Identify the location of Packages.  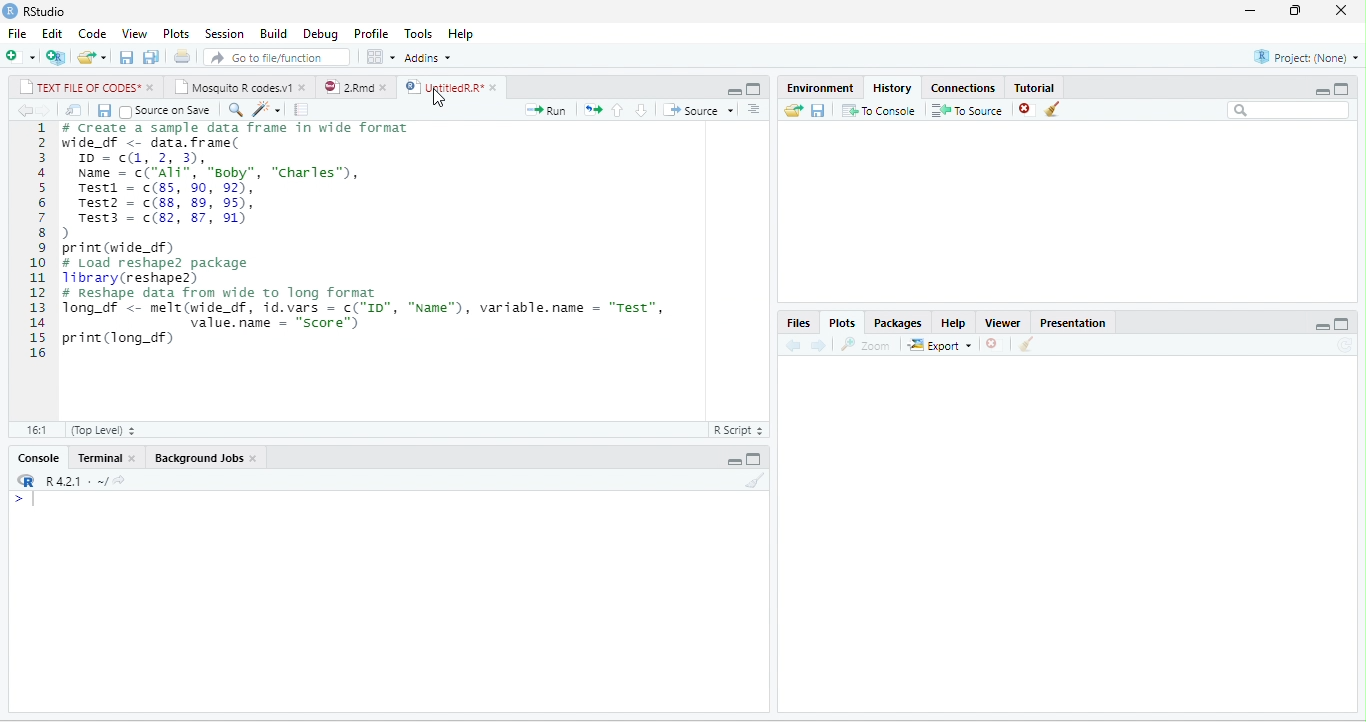
(899, 323).